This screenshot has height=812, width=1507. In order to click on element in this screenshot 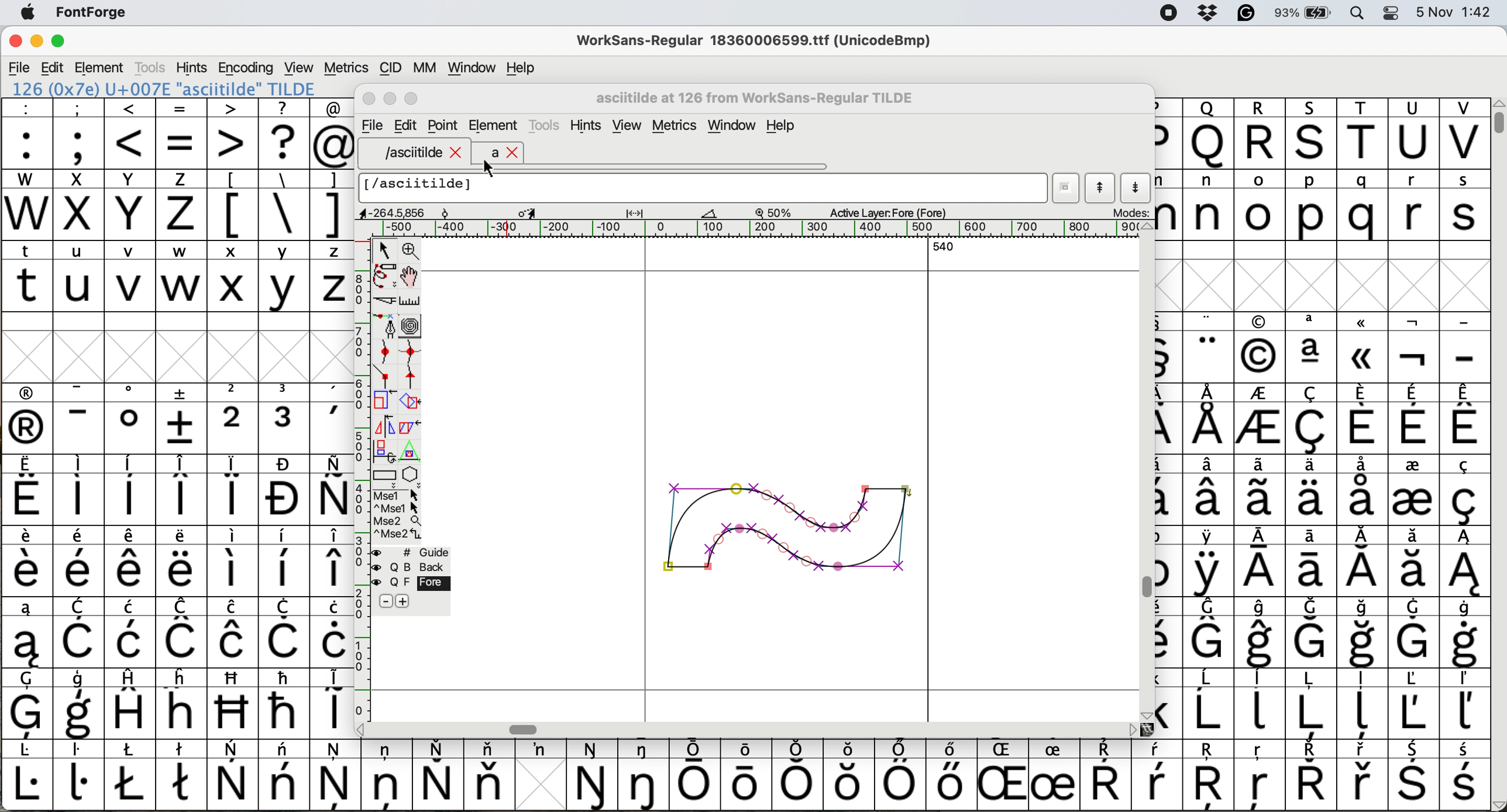, I will do `click(494, 127)`.